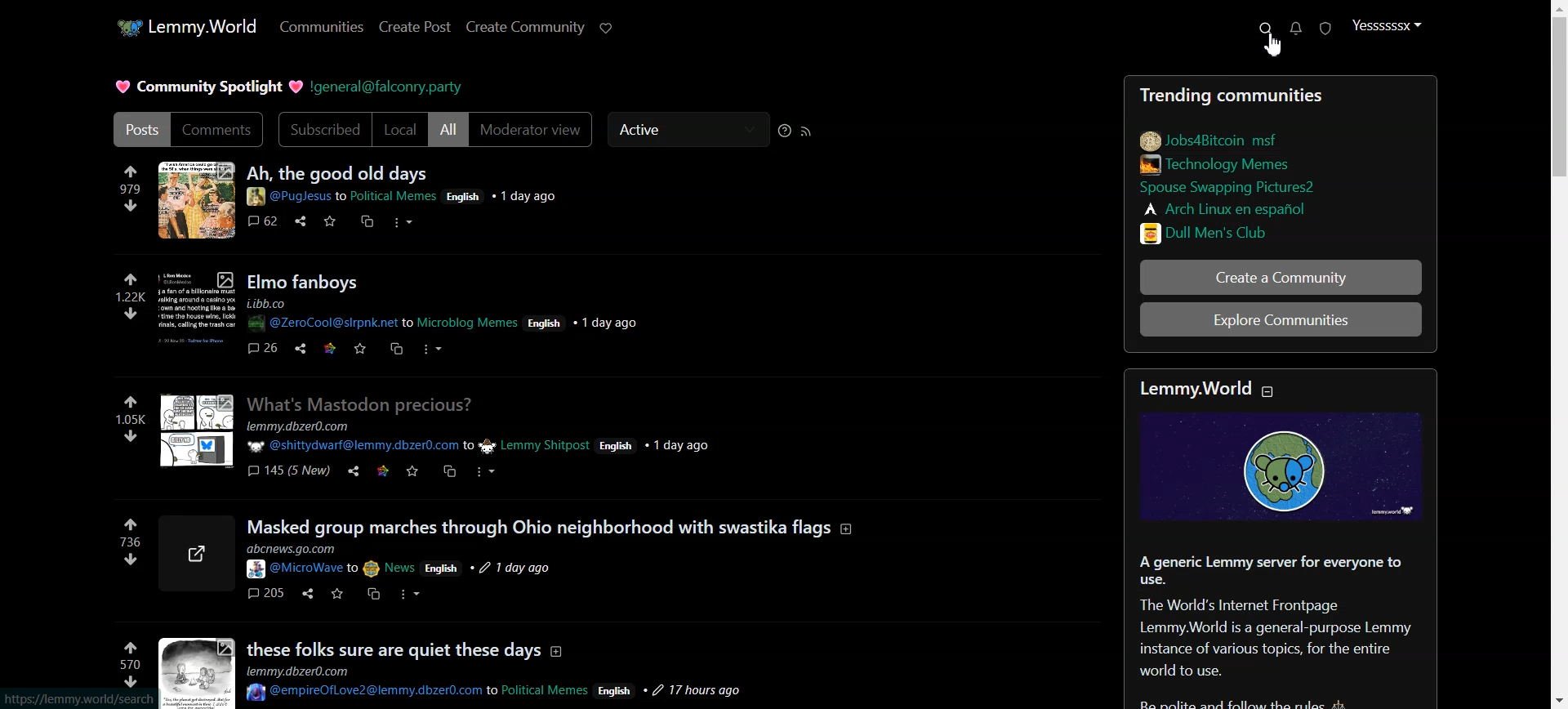 Image resolution: width=1568 pixels, height=709 pixels. I want to click on Communities, so click(318, 26).